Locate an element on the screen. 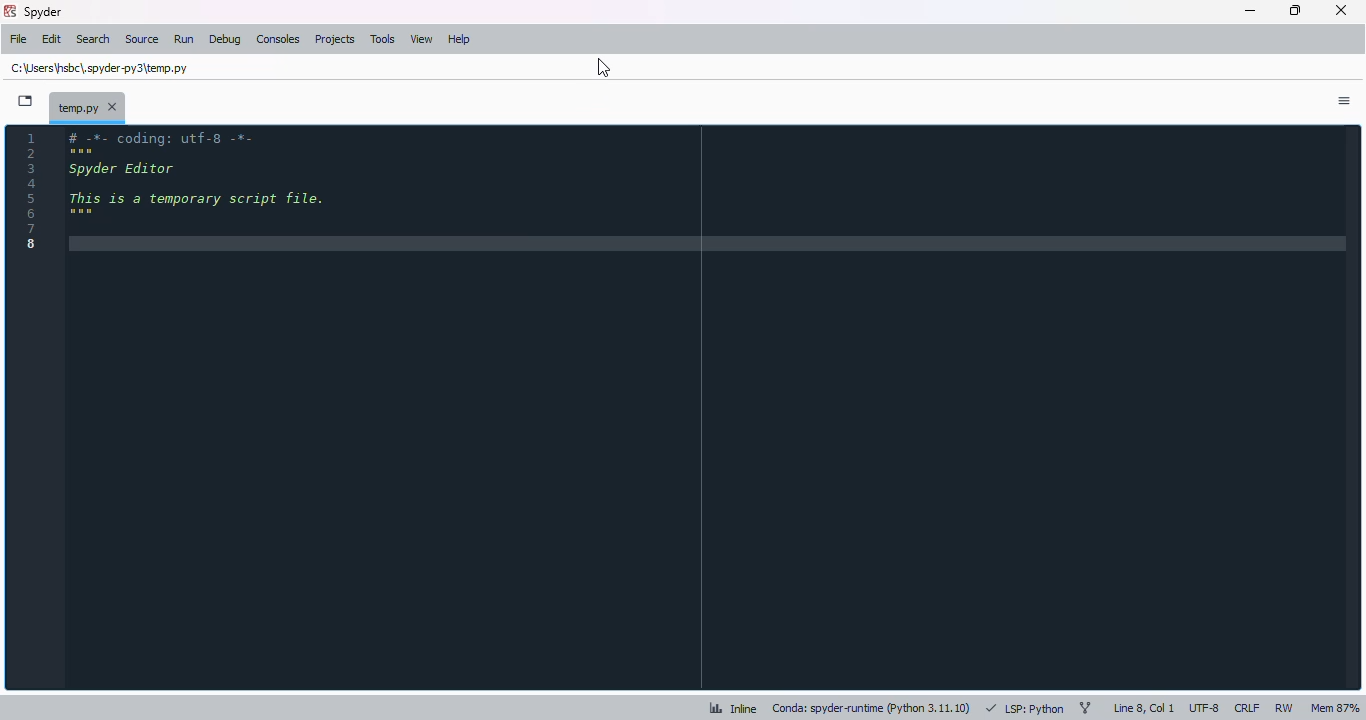 This screenshot has width=1366, height=720. edit is located at coordinates (51, 39).